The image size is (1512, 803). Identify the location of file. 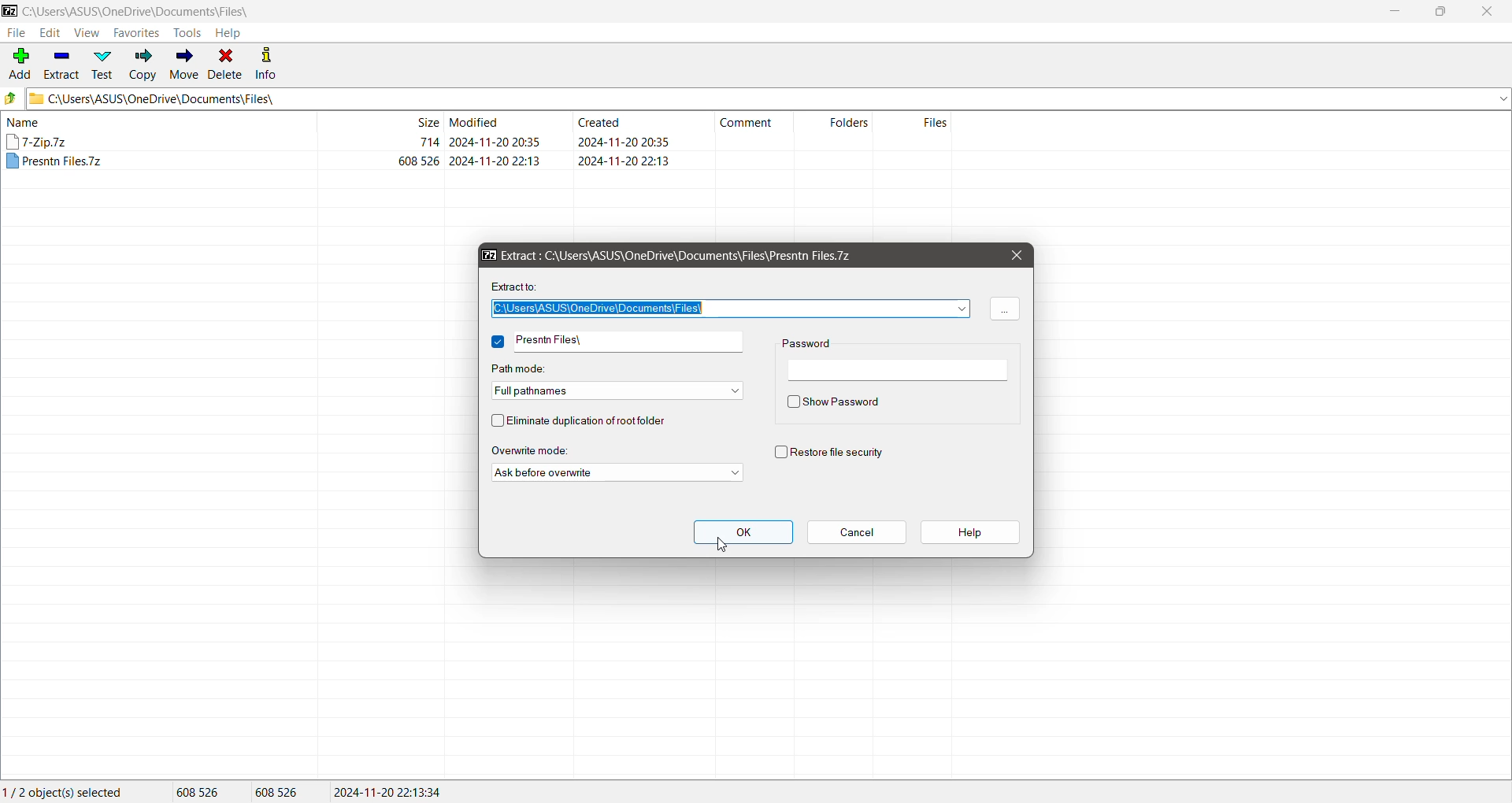
(38, 141).